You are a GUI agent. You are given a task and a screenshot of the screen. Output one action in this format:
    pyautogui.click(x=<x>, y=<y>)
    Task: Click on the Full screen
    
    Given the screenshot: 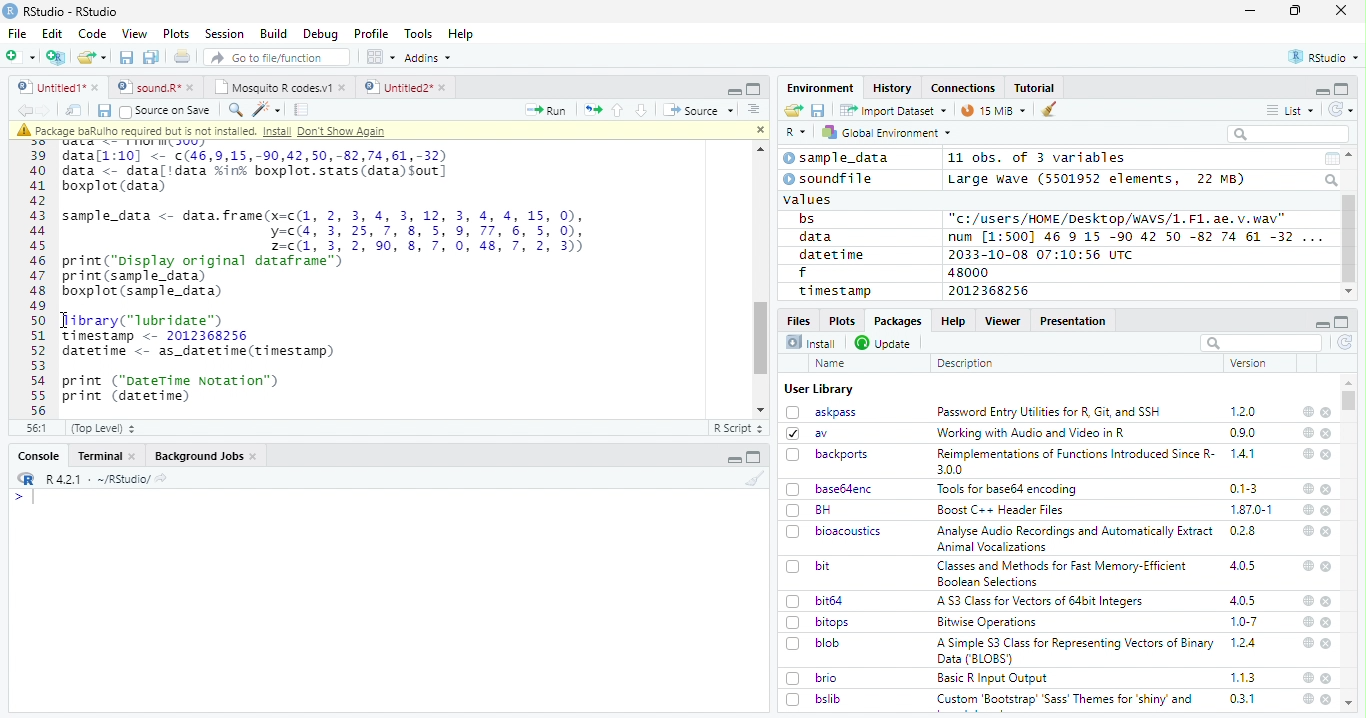 What is the action you would take?
    pyautogui.click(x=754, y=457)
    